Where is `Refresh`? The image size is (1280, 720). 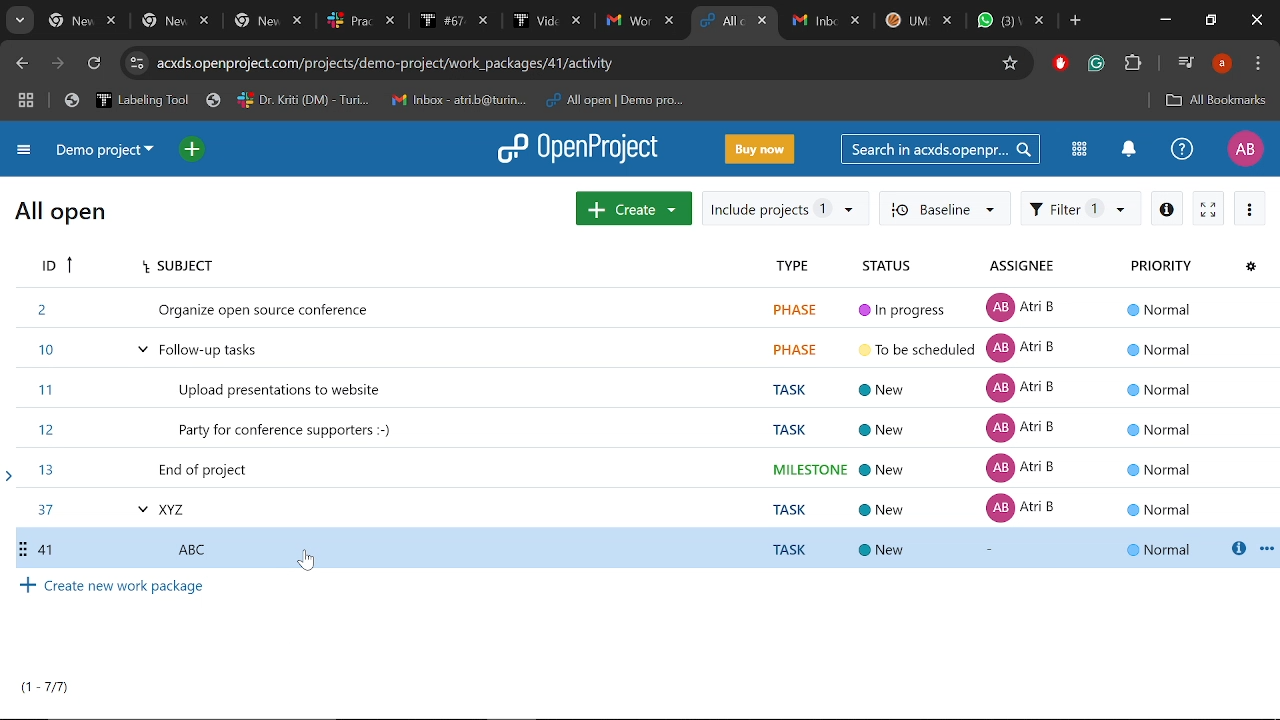
Refresh is located at coordinates (93, 65).